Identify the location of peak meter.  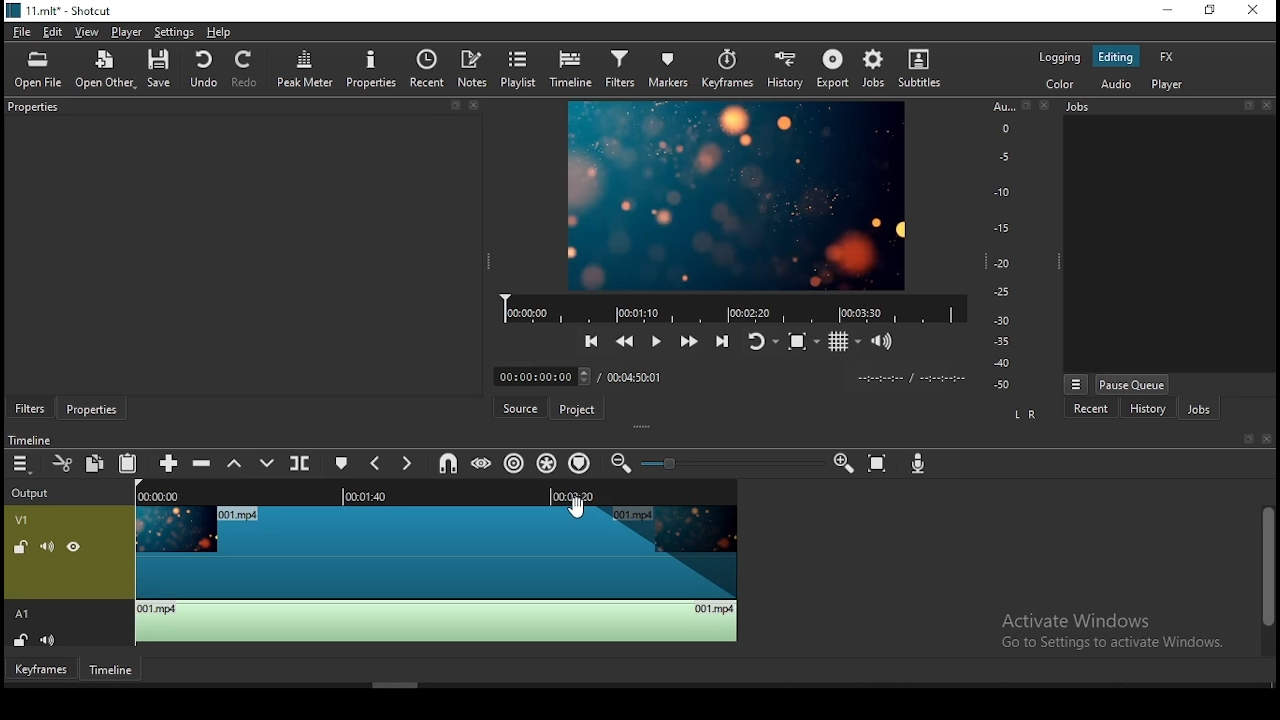
(304, 69).